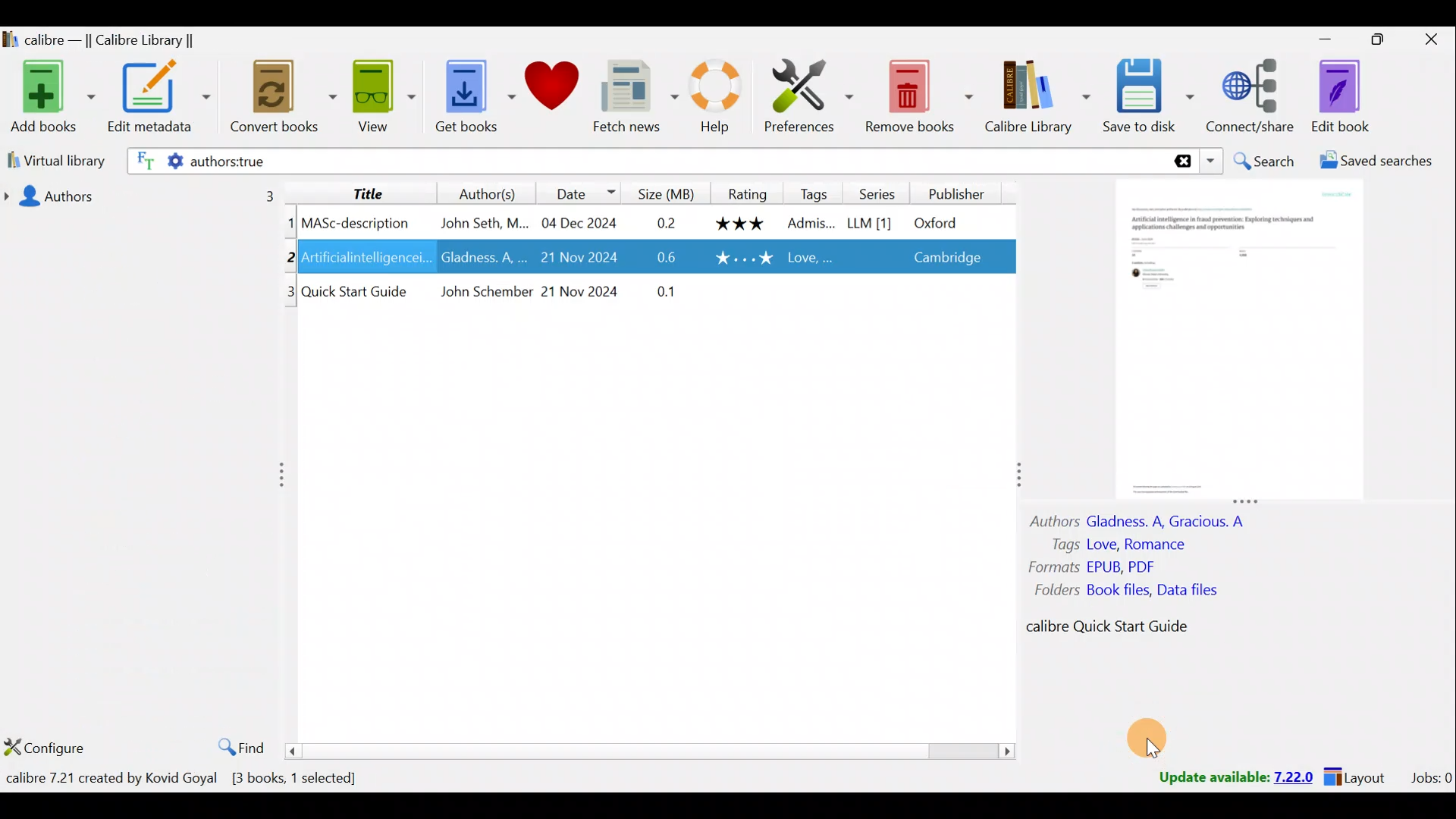 The image size is (1456, 819). I want to click on Series, so click(884, 193).